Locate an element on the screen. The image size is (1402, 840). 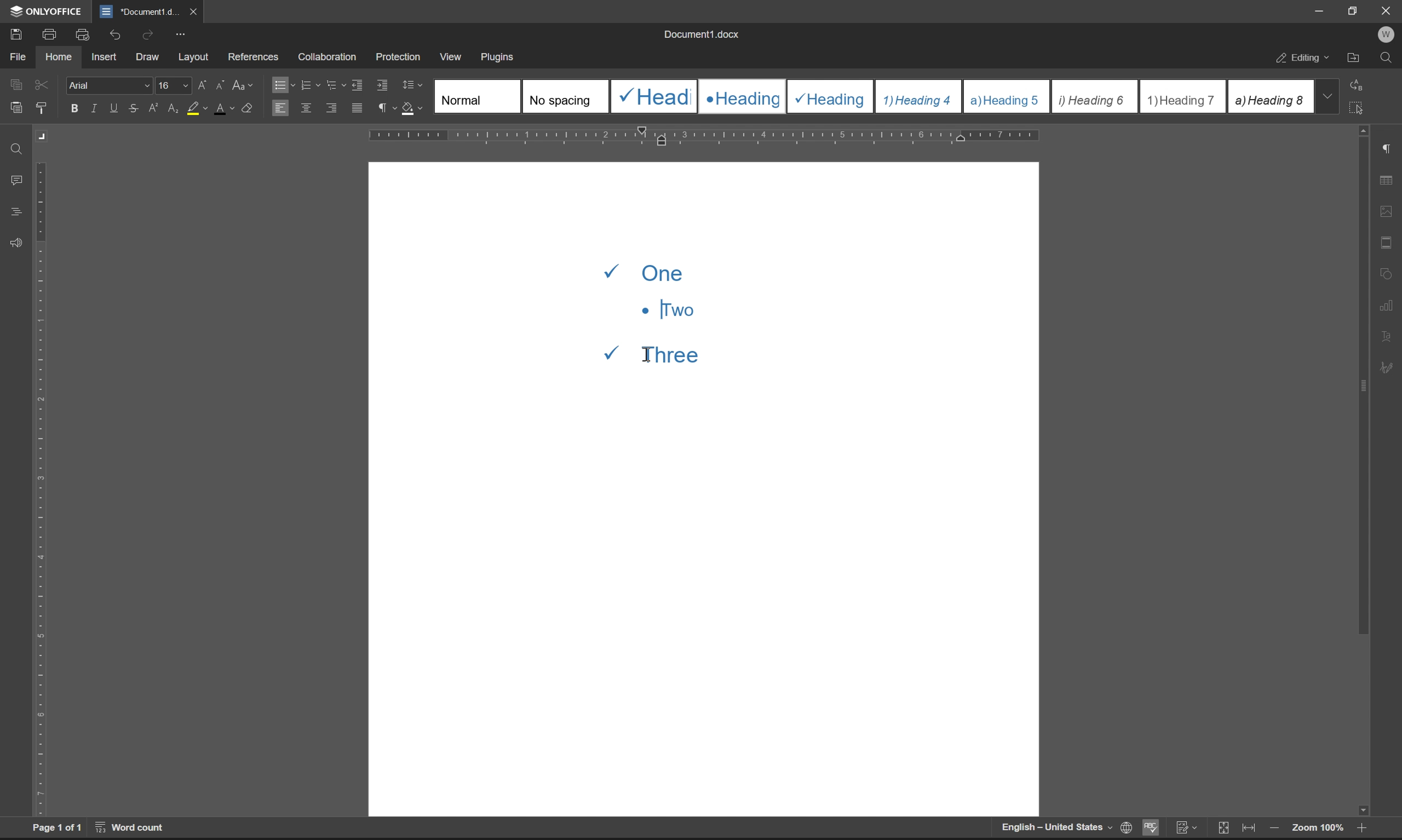
Normal is located at coordinates (478, 96).